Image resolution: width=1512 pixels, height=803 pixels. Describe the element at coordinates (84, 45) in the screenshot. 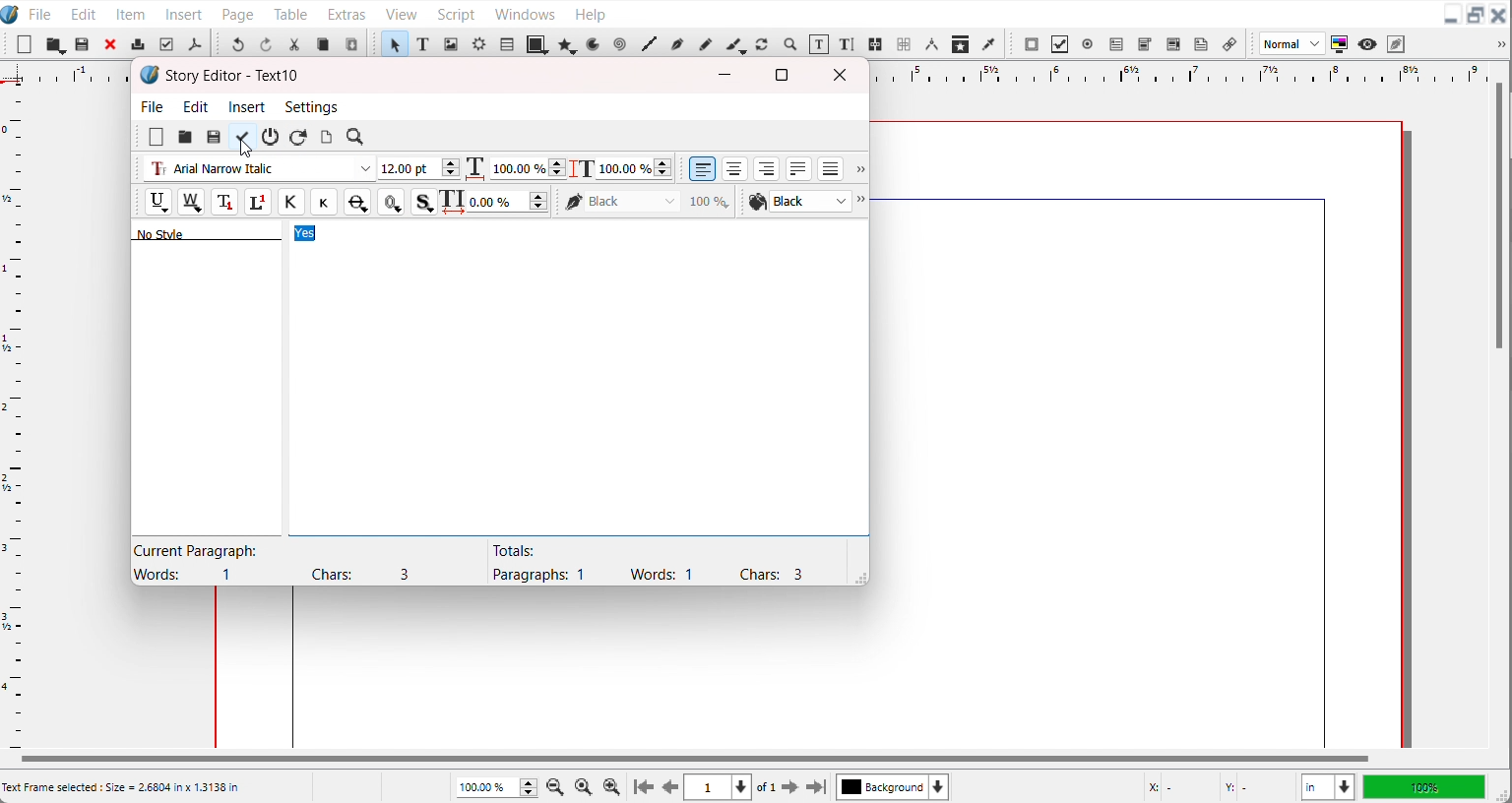

I see `Open` at that location.